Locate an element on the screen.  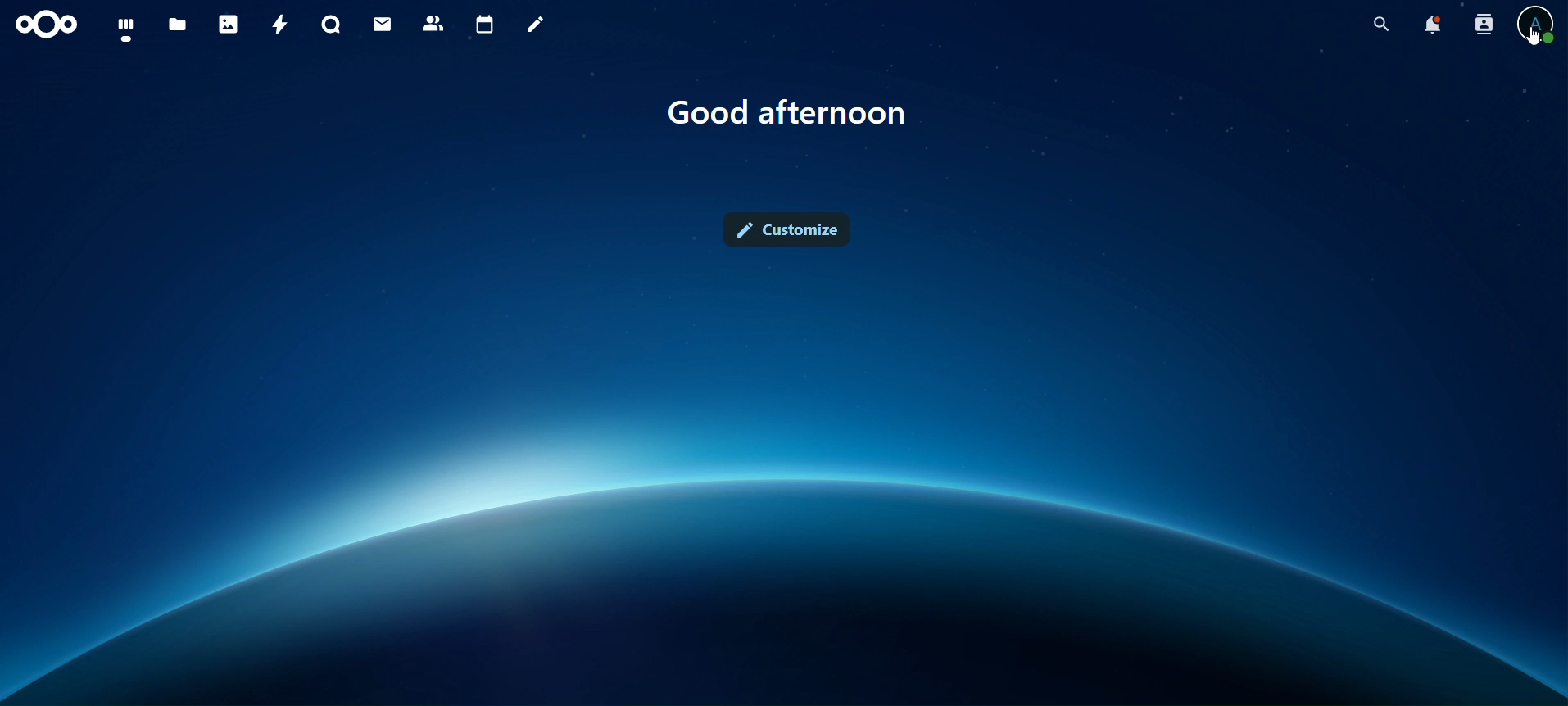
contacts is located at coordinates (433, 23).